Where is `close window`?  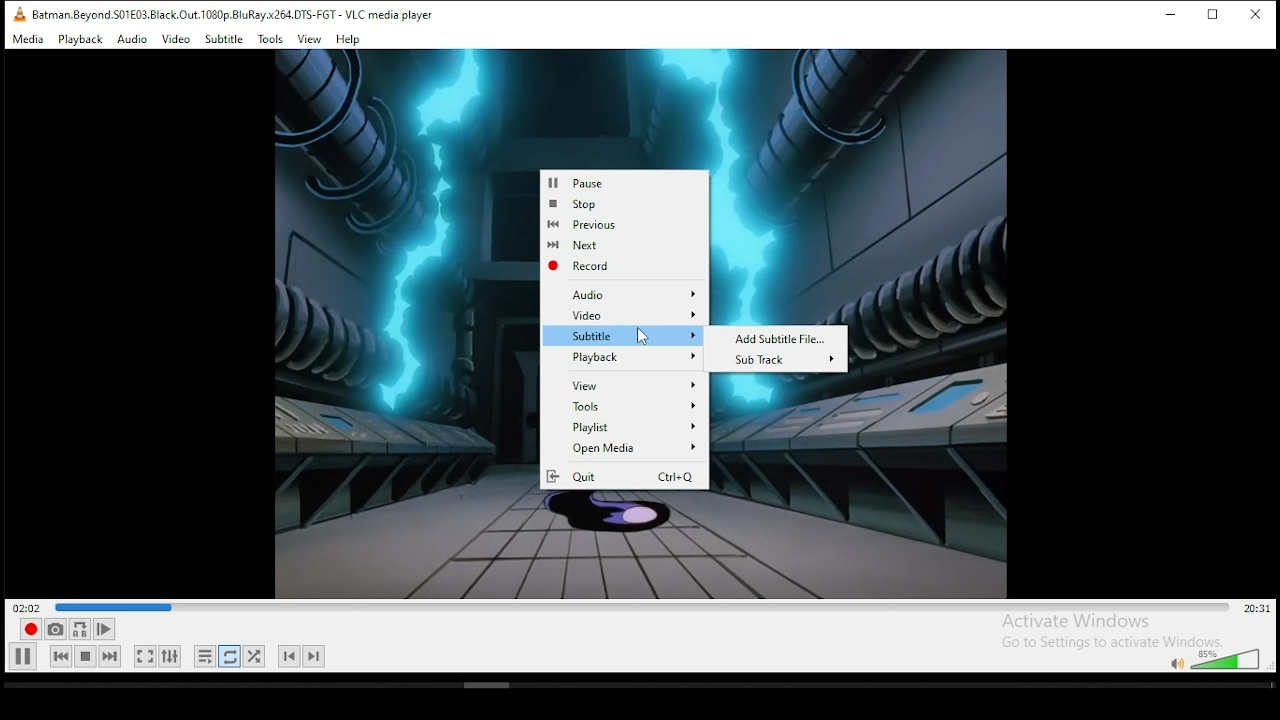 close window is located at coordinates (1256, 13).